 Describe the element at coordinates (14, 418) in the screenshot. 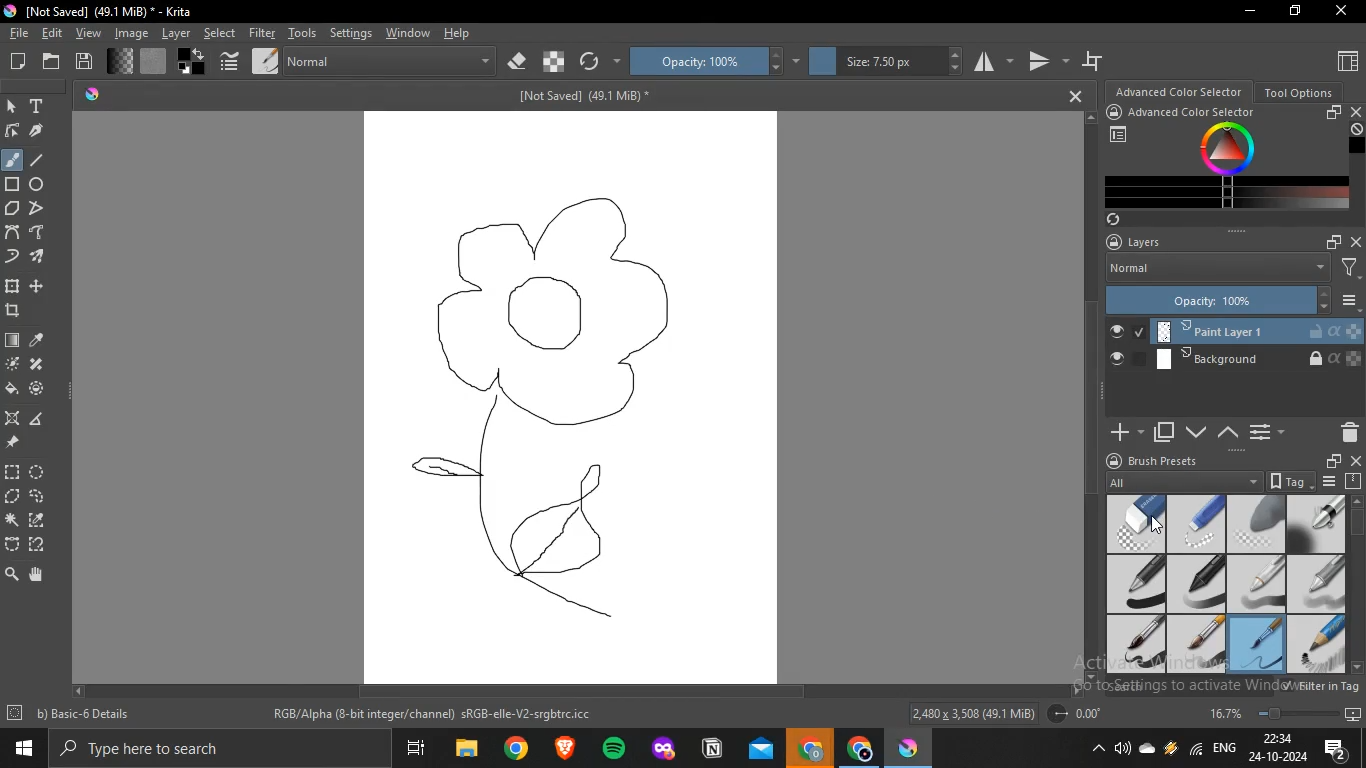

I see `assitant tool` at that location.